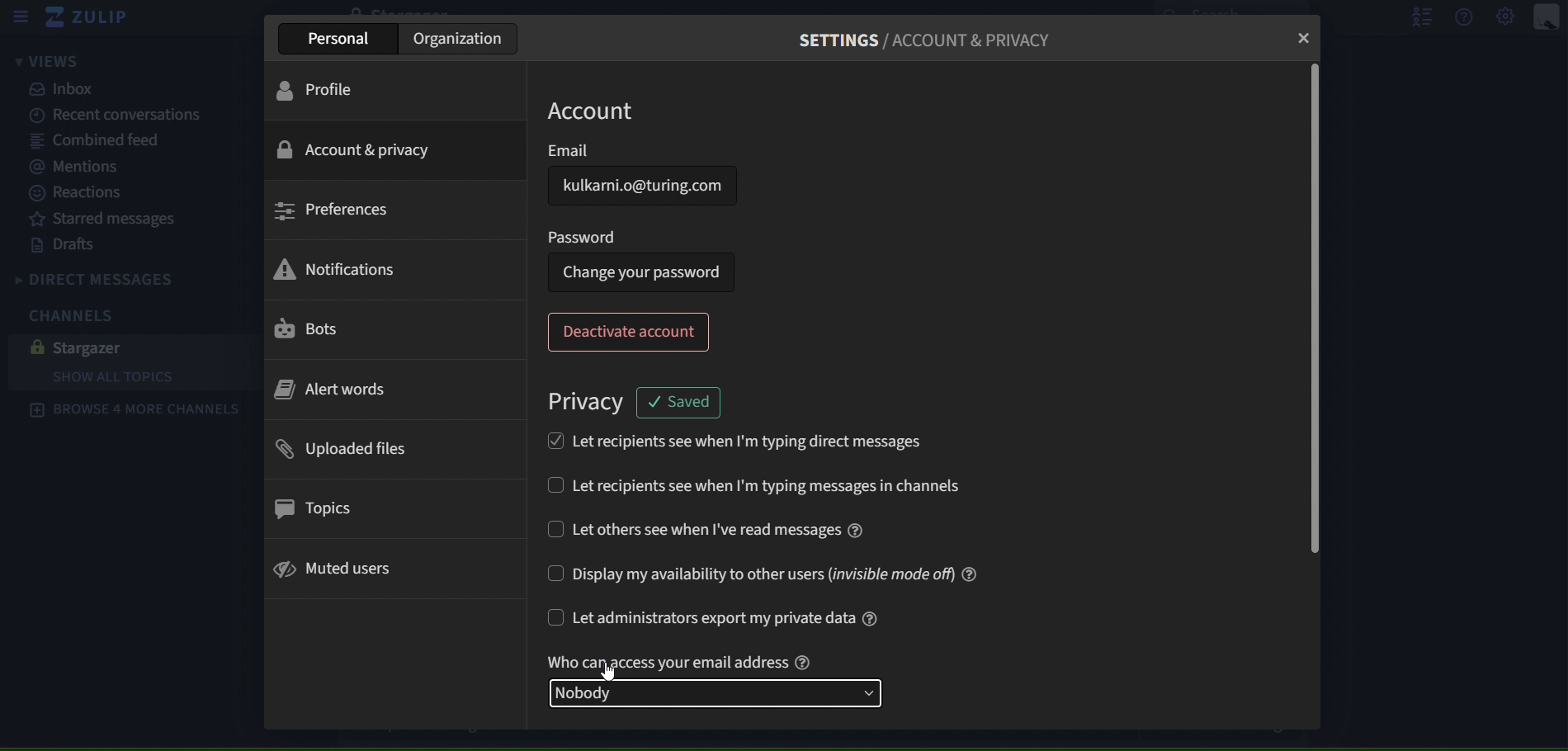 Image resolution: width=1568 pixels, height=751 pixels. Describe the element at coordinates (67, 89) in the screenshot. I see `inbox` at that location.